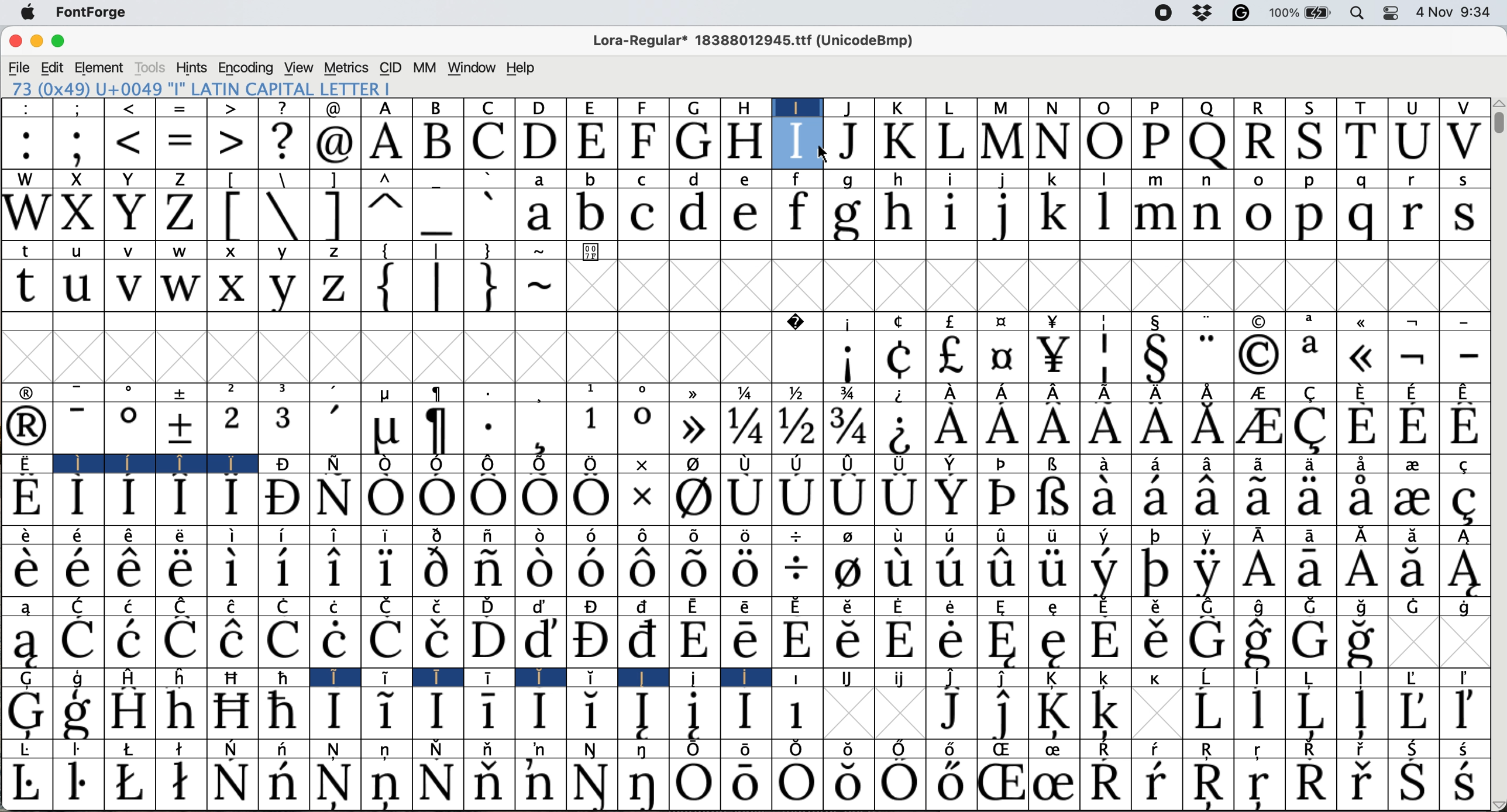  What do you see at coordinates (746, 642) in the screenshot?
I see `Symbol` at bounding box center [746, 642].